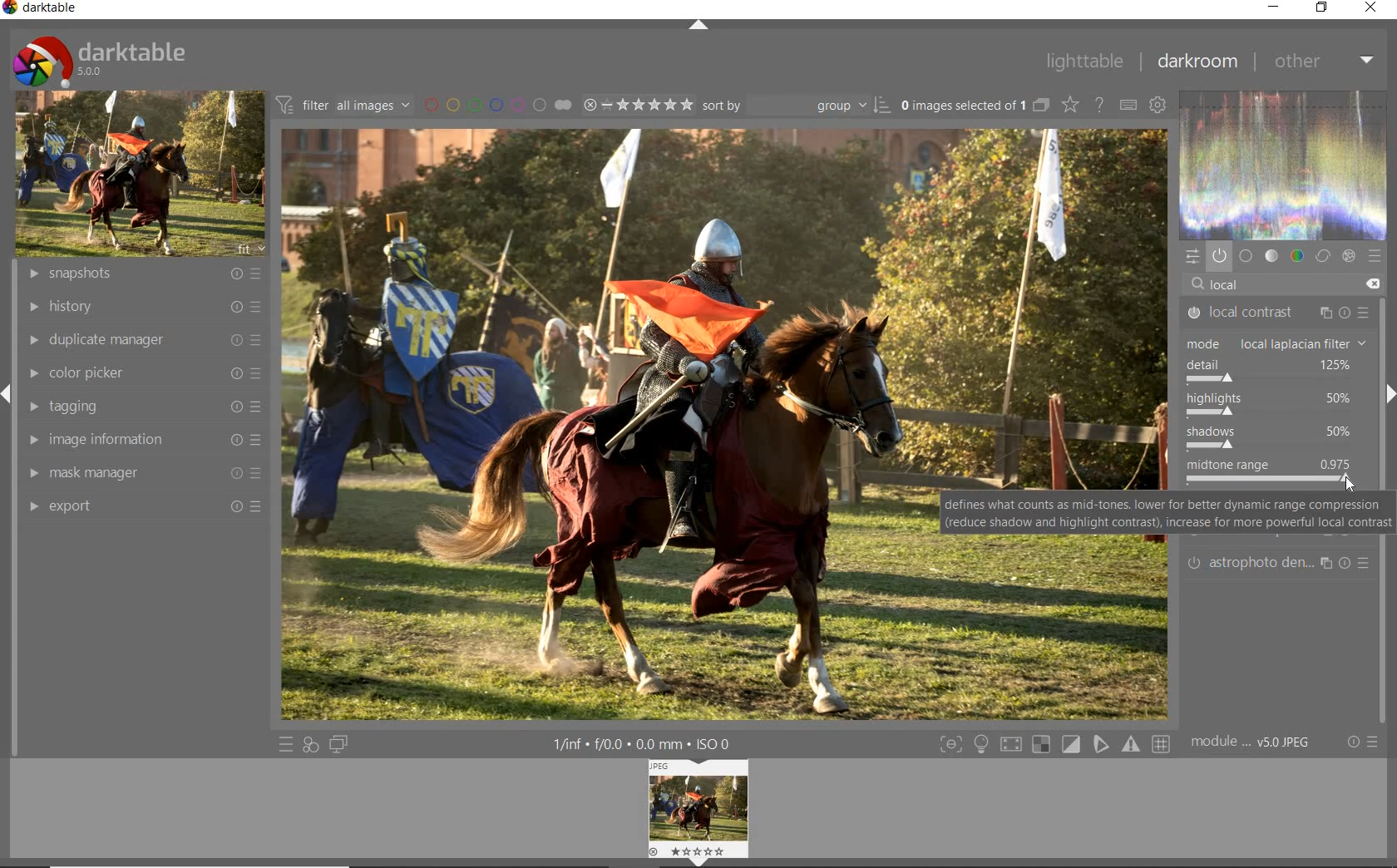  Describe the element at coordinates (344, 105) in the screenshot. I see `filter all images` at that location.